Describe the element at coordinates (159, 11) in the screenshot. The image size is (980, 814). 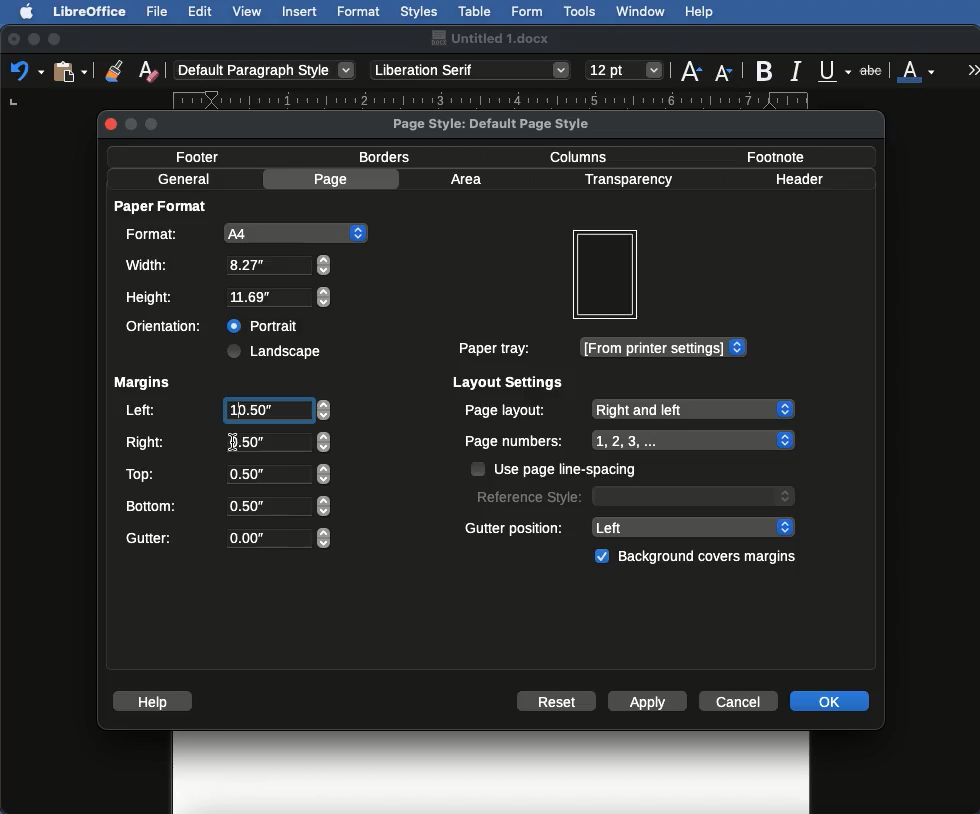
I see `File` at that location.